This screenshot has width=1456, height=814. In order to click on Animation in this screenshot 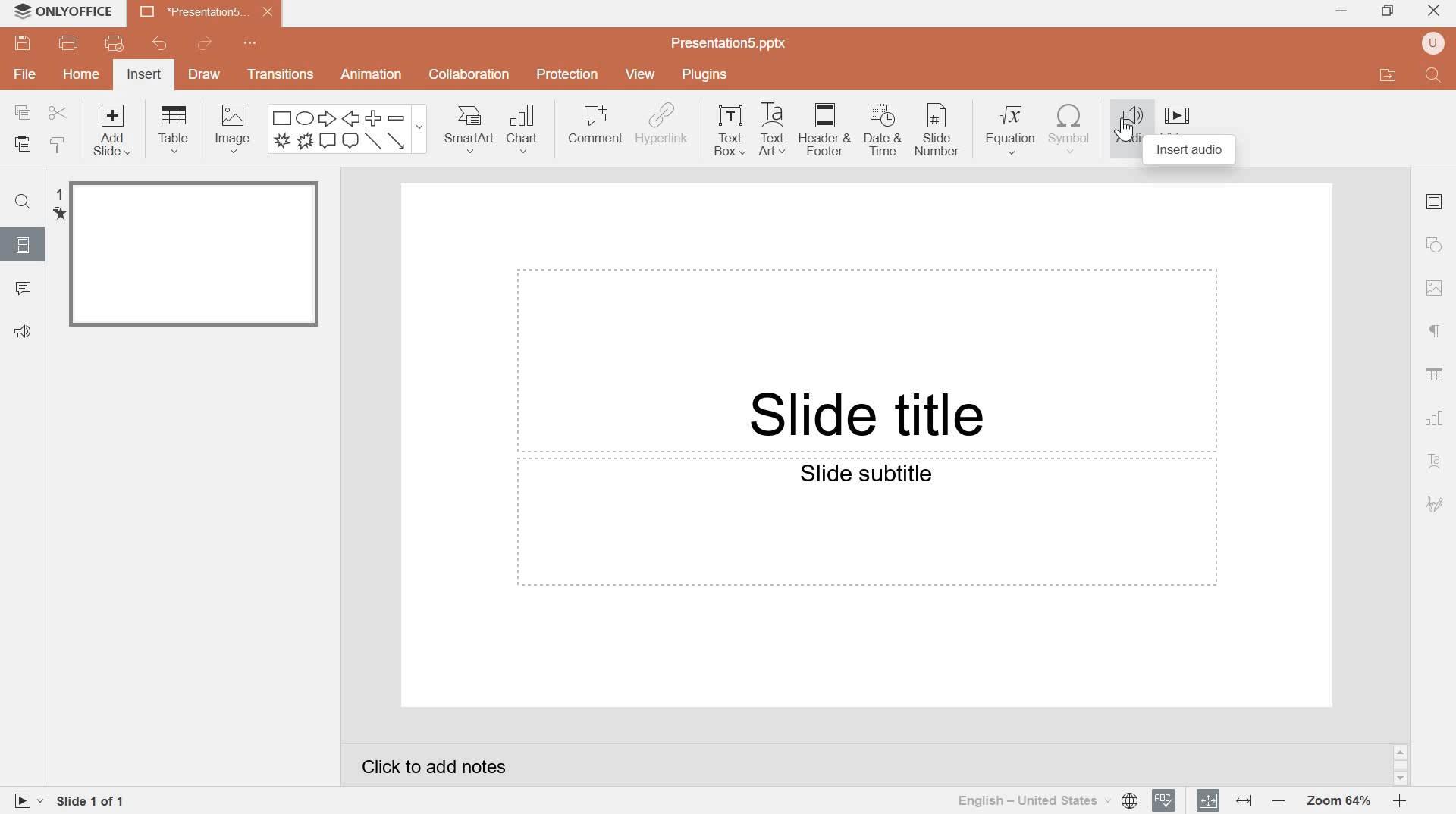, I will do `click(372, 74)`.